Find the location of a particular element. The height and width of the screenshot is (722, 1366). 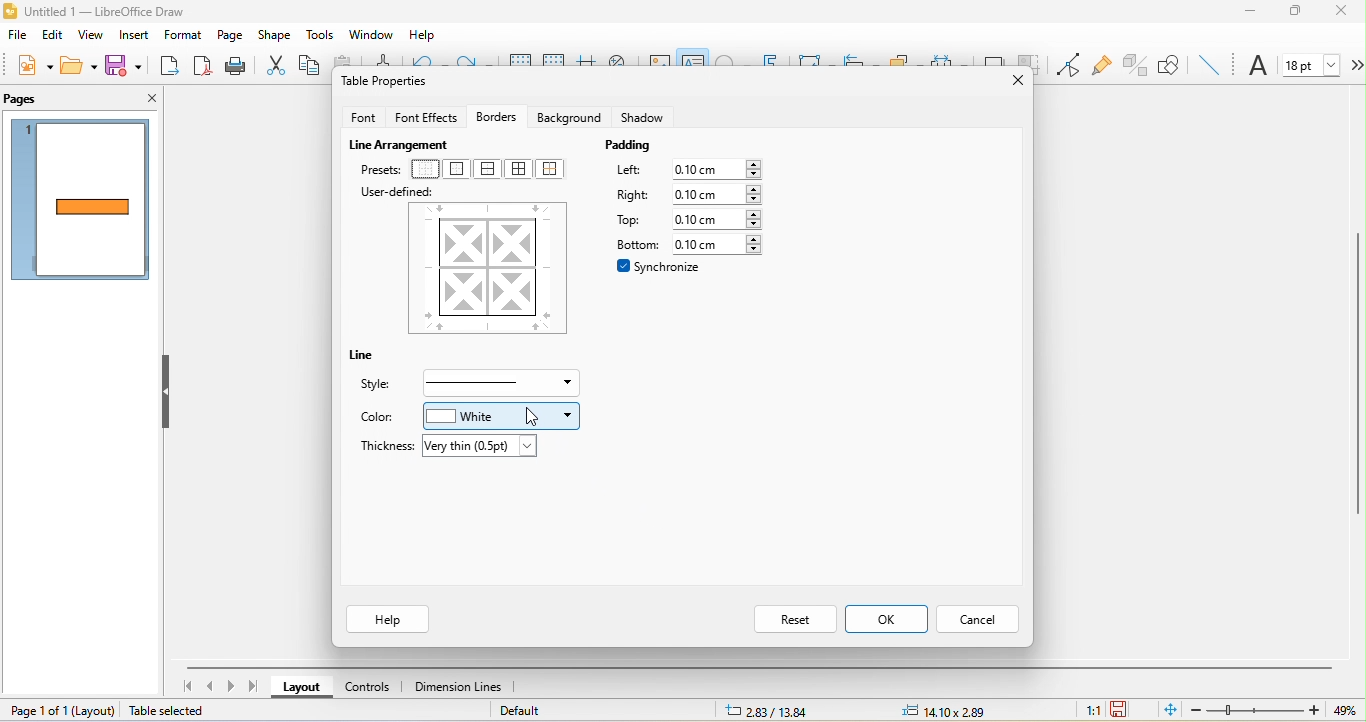

export is located at coordinates (170, 68).